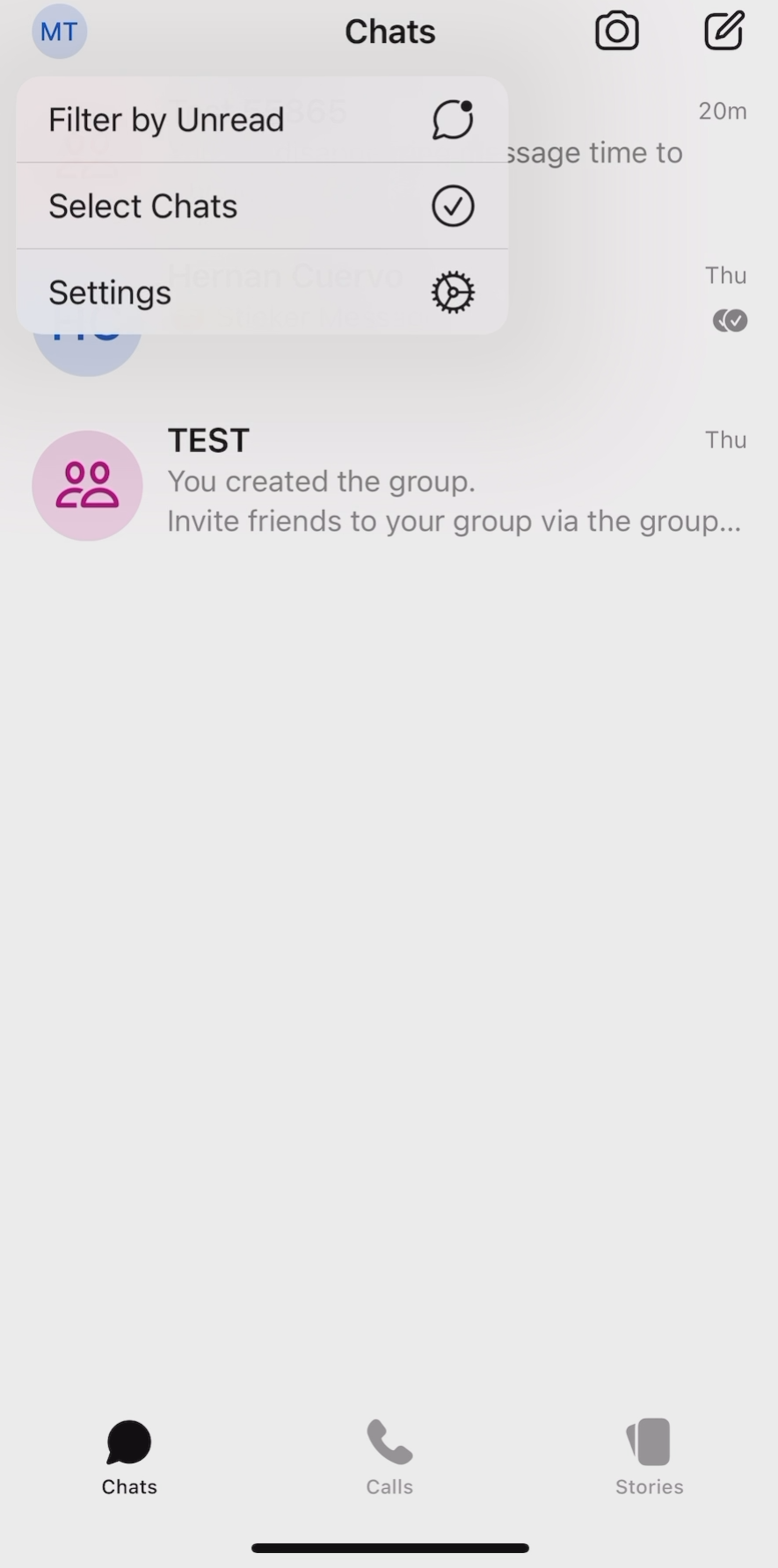 The image size is (778, 1568). I want to click on new chat, so click(725, 33).